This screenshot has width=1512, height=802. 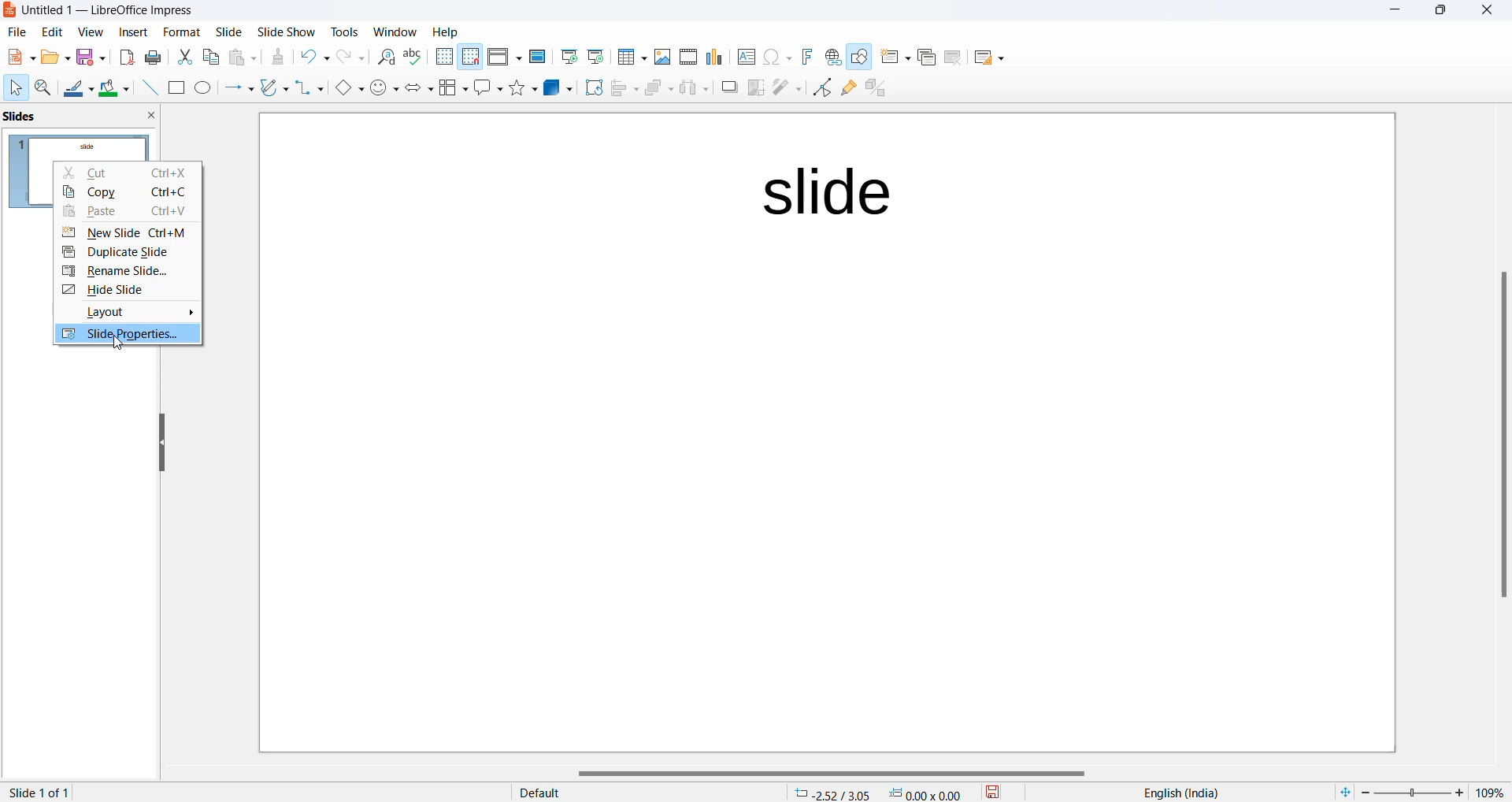 I want to click on shapes, so click(x=525, y=87).